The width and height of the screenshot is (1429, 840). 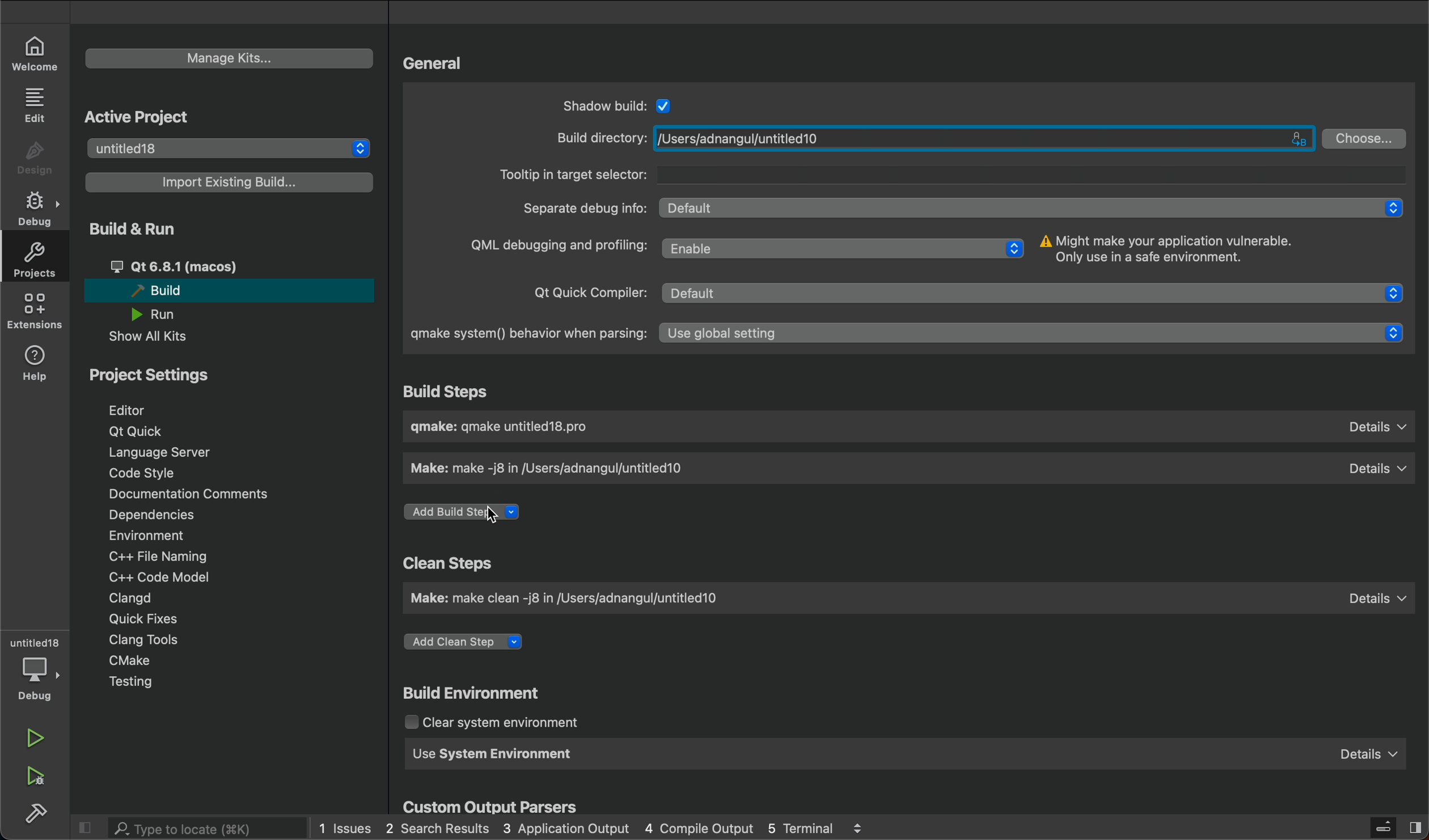 I want to click on Build, so click(x=154, y=291).